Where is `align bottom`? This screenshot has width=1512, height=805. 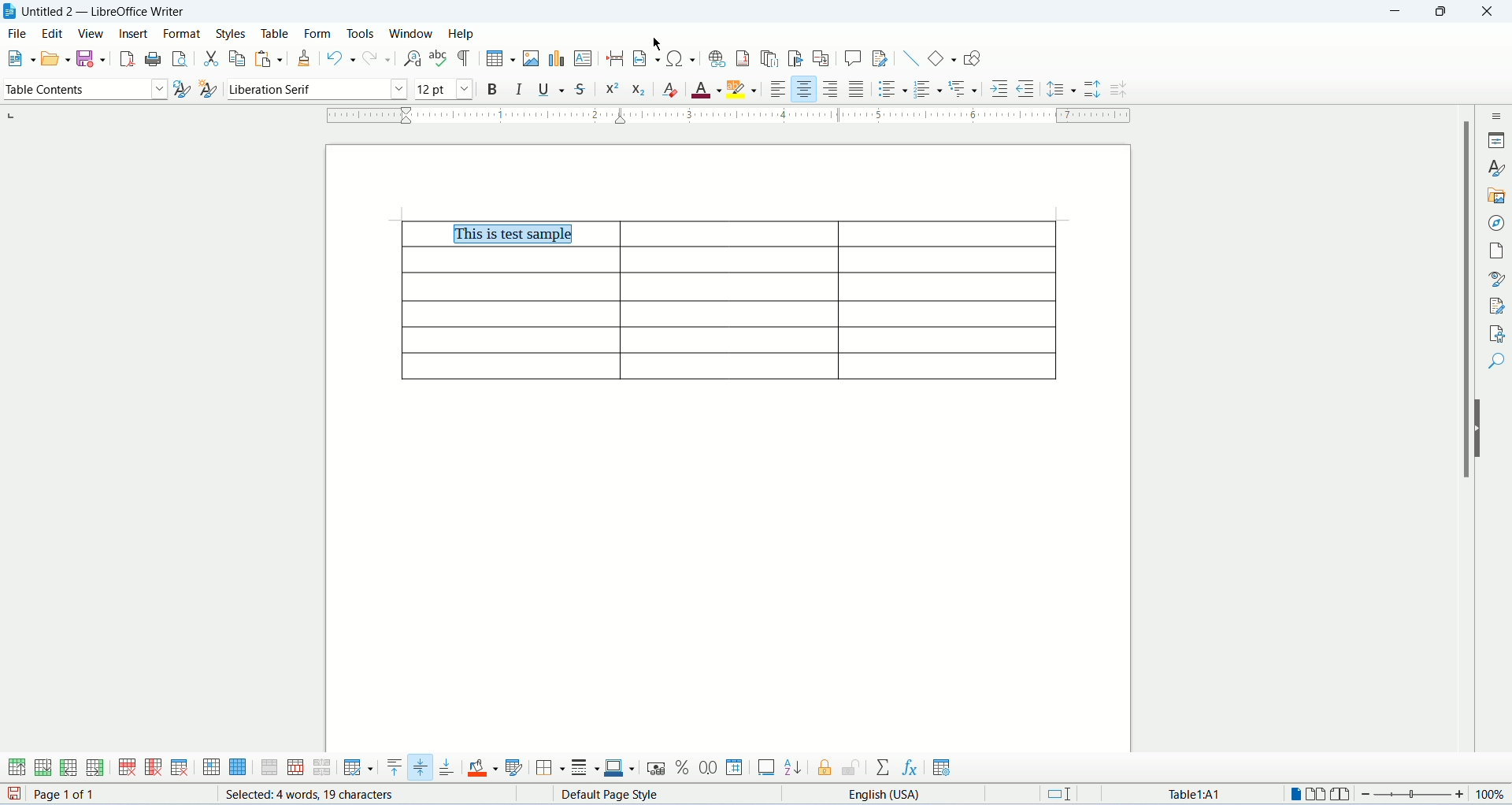 align bottom is located at coordinates (447, 767).